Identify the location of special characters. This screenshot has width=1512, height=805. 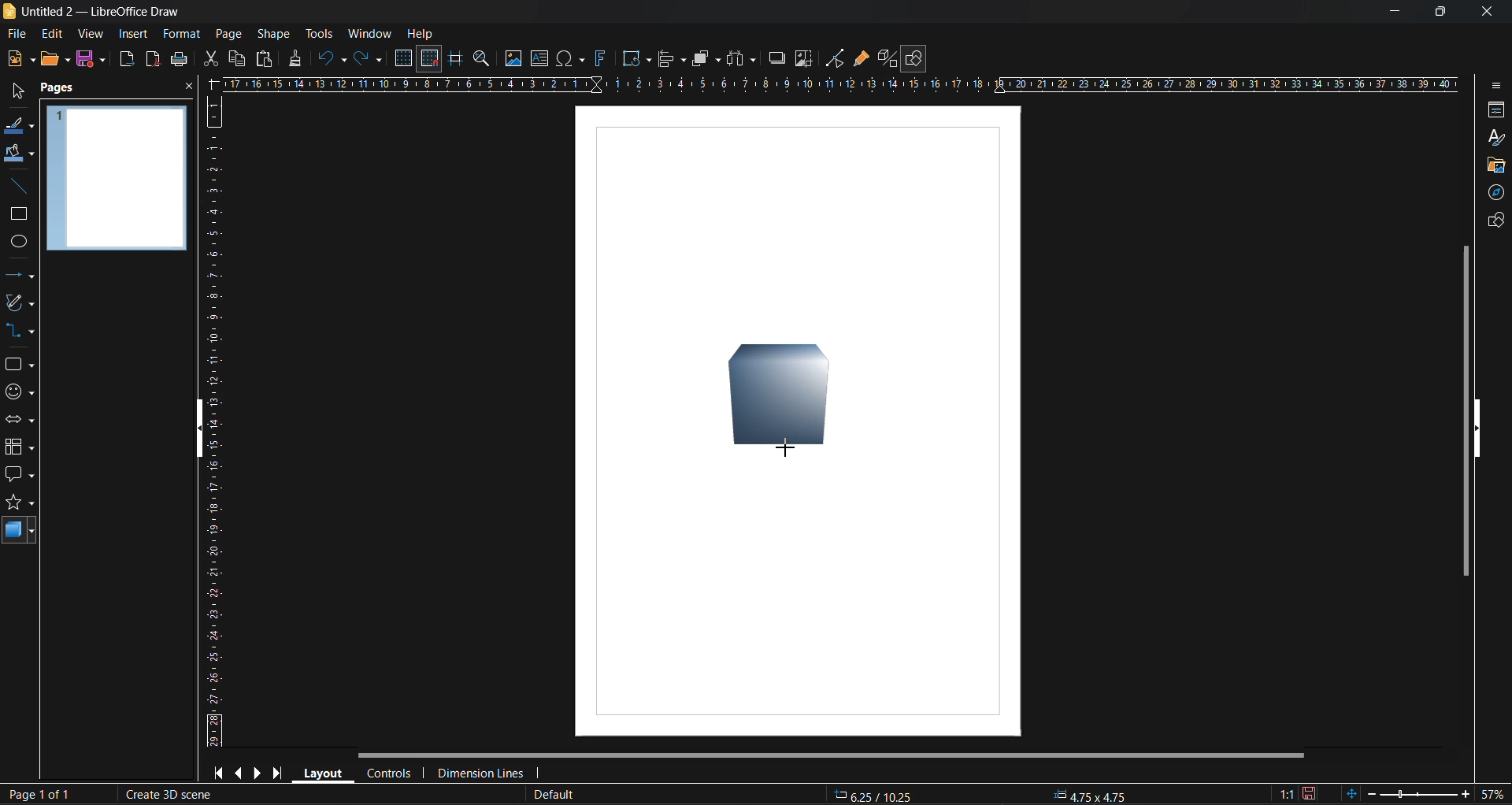
(574, 59).